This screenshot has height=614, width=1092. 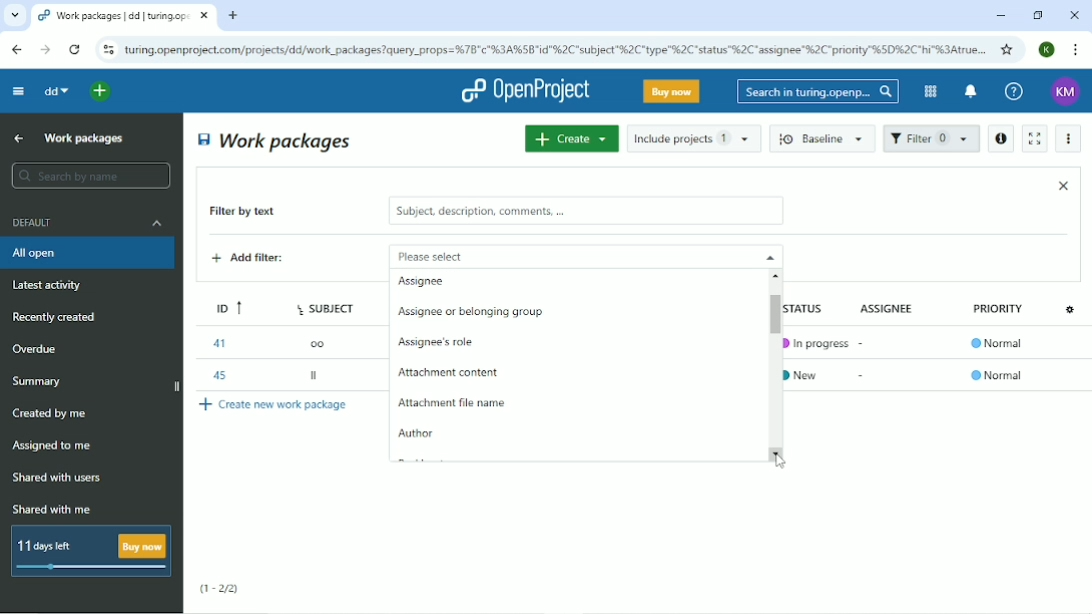 What do you see at coordinates (1063, 185) in the screenshot?
I see `Close` at bounding box center [1063, 185].